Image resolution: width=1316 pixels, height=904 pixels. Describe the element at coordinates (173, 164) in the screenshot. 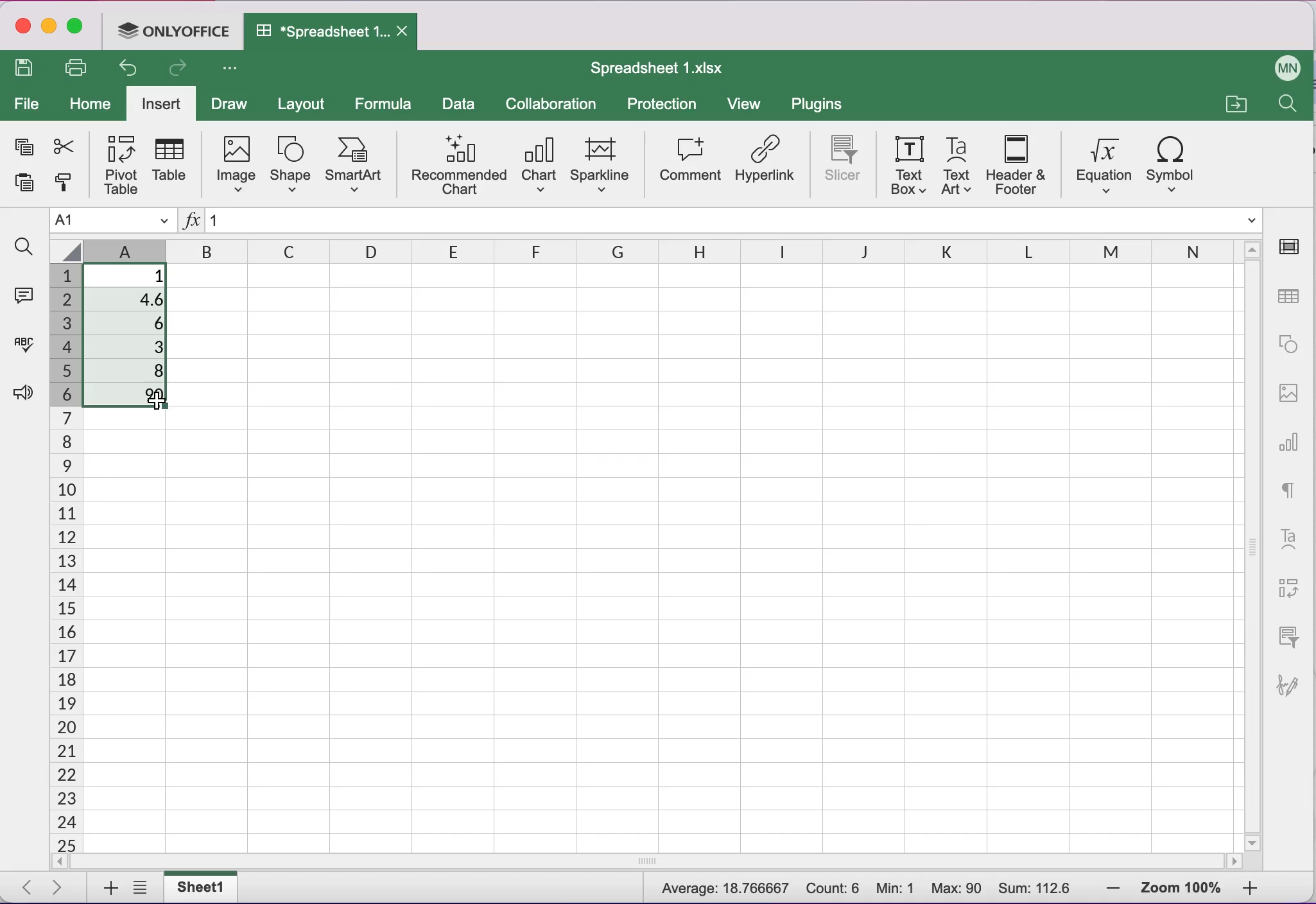

I see `table` at that location.